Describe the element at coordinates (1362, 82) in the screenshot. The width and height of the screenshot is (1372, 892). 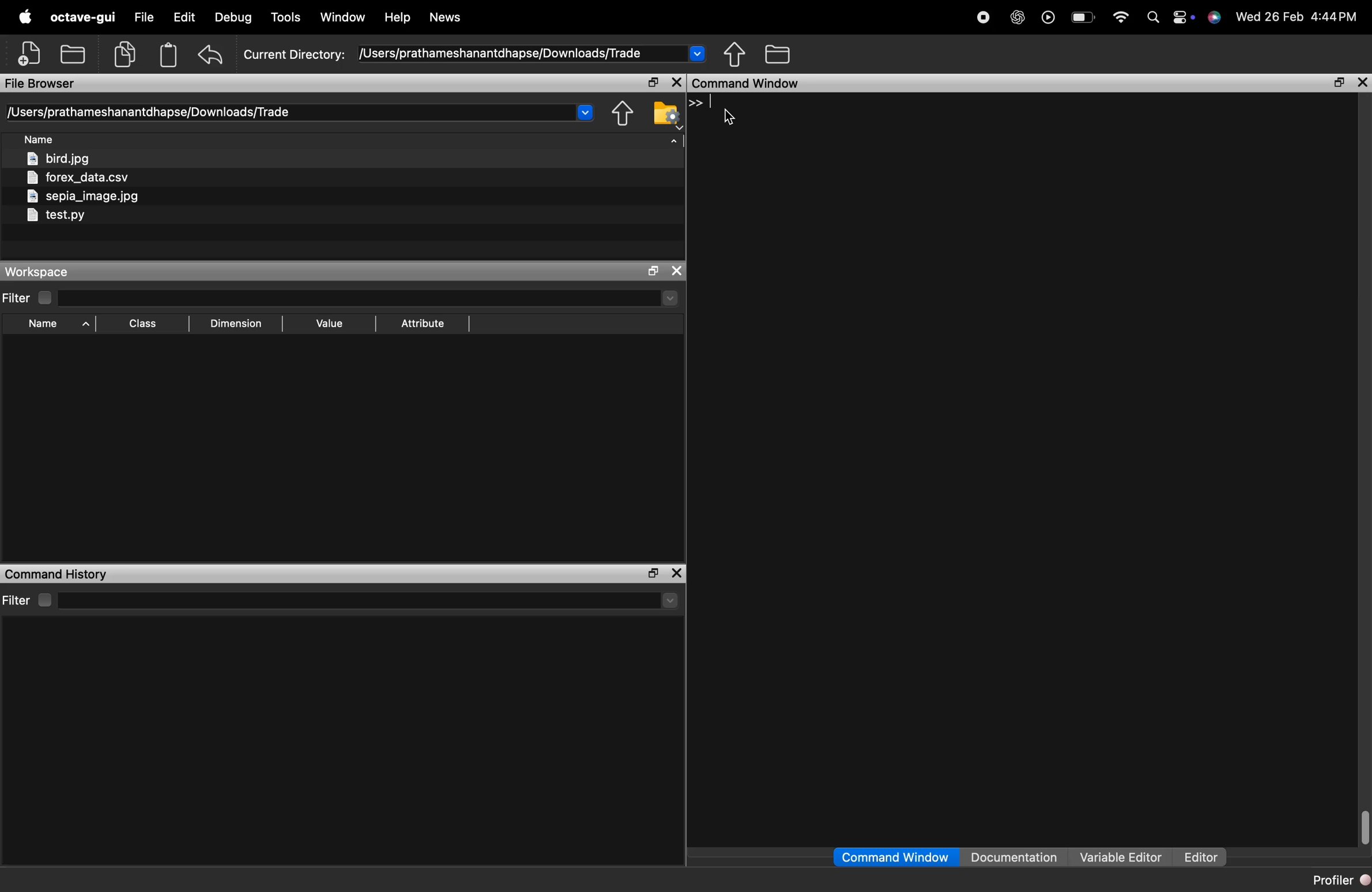
I see `close` at that location.